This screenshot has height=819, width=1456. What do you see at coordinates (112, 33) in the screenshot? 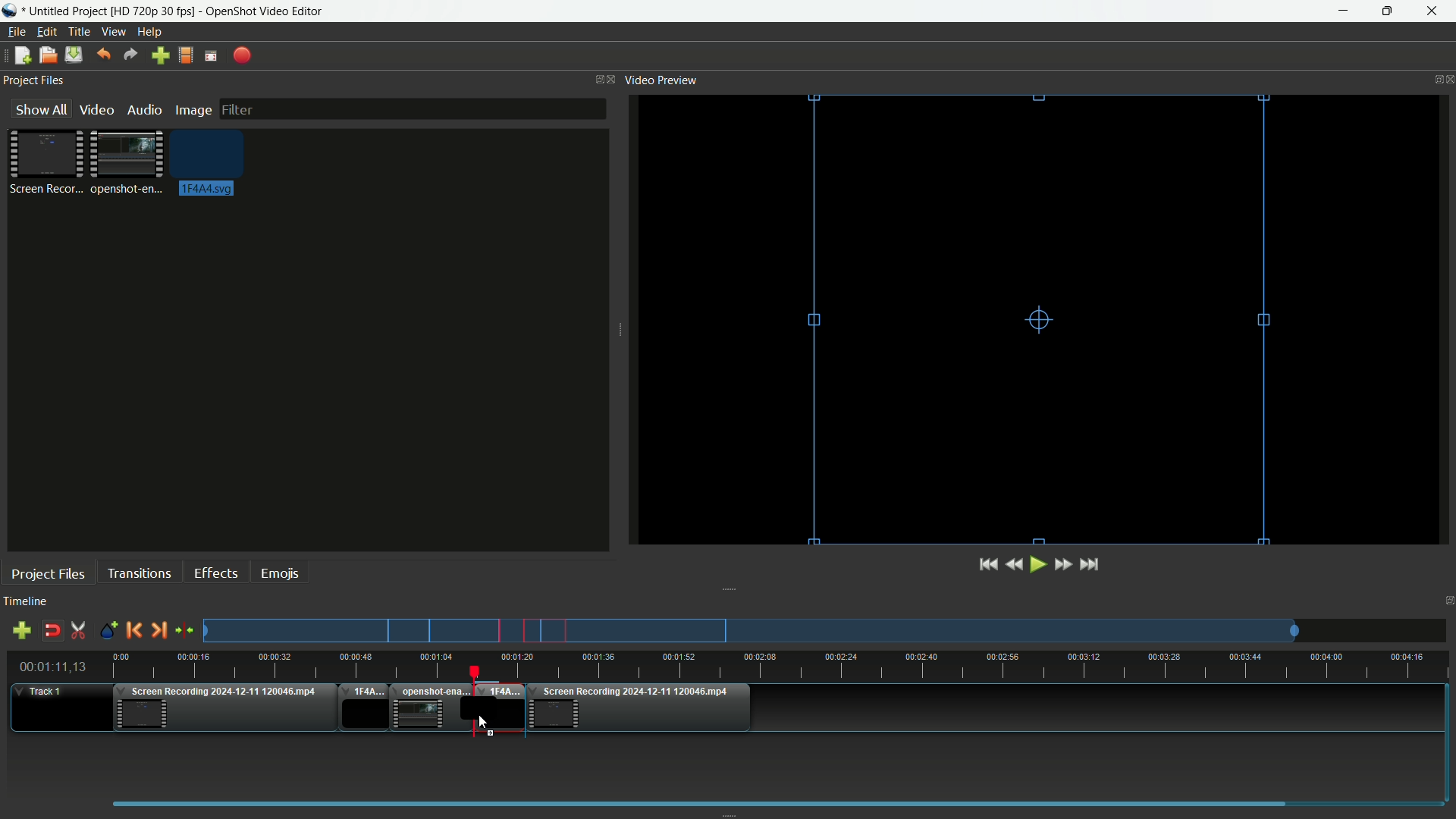
I see `View menu` at bounding box center [112, 33].